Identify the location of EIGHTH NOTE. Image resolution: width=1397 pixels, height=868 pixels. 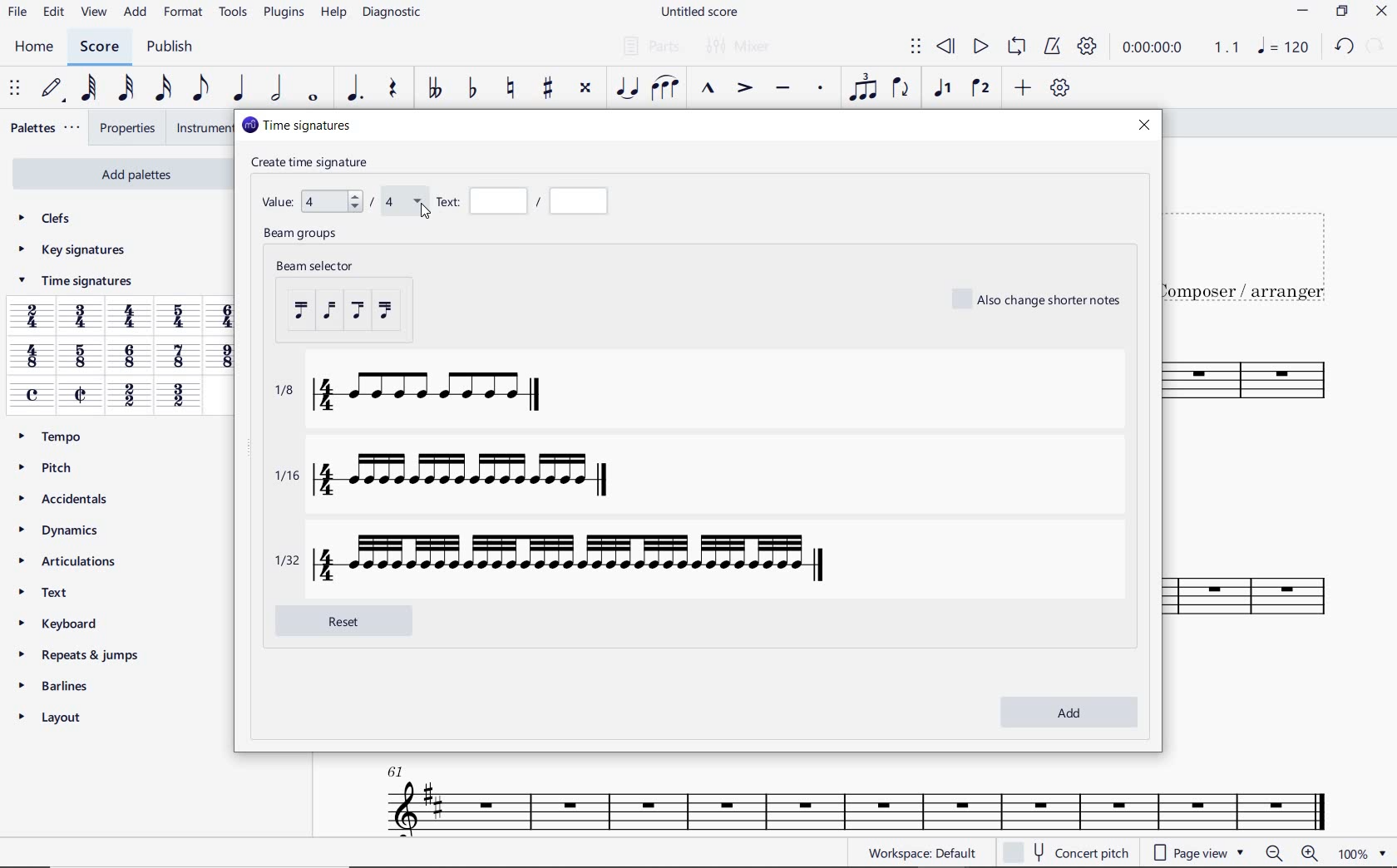
(200, 89).